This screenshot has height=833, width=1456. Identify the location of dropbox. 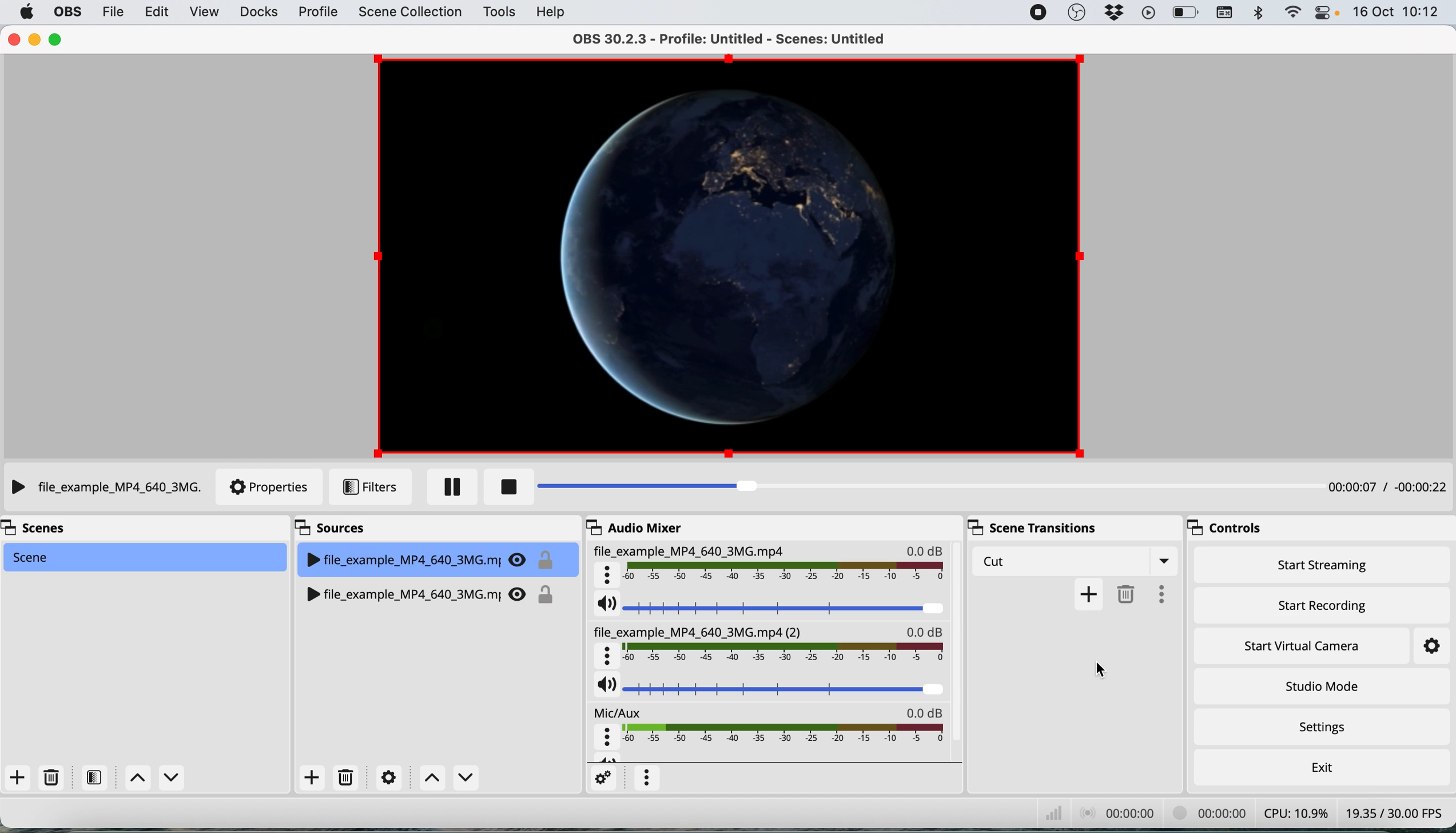
(1115, 11).